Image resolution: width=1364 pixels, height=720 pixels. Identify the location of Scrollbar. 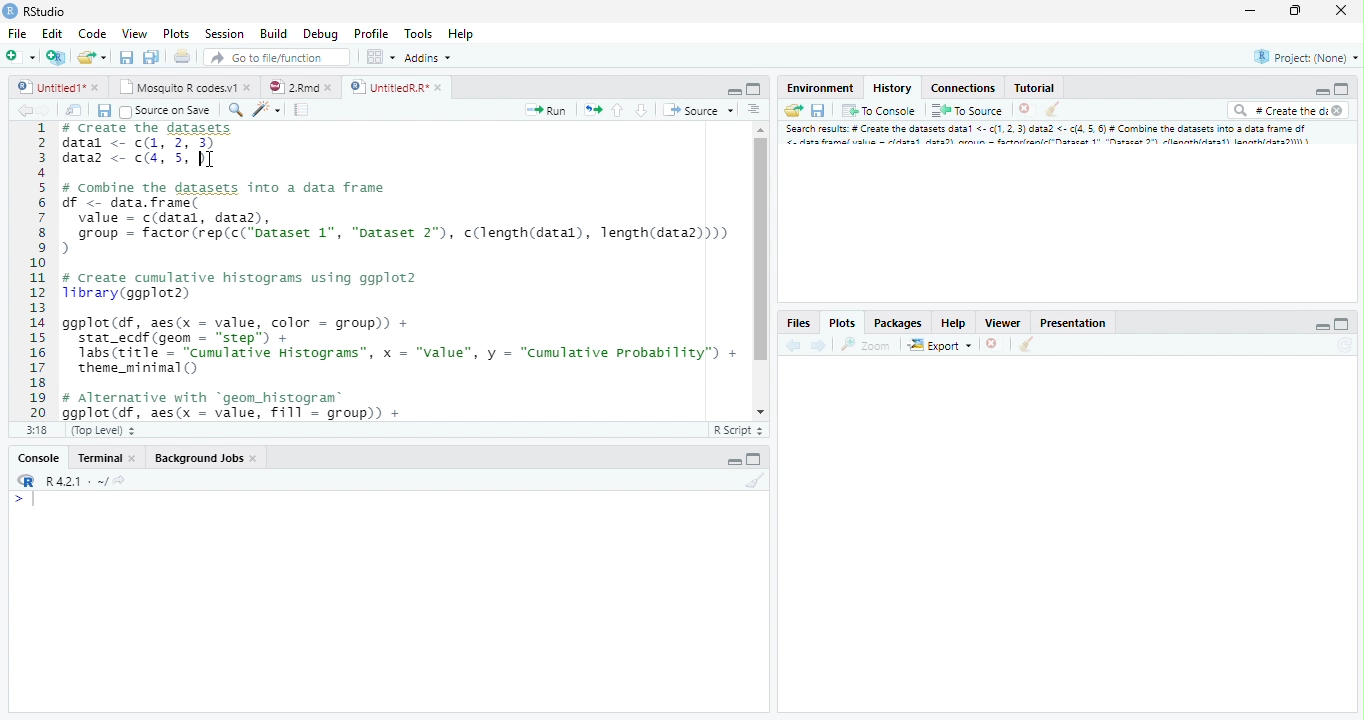
(759, 268).